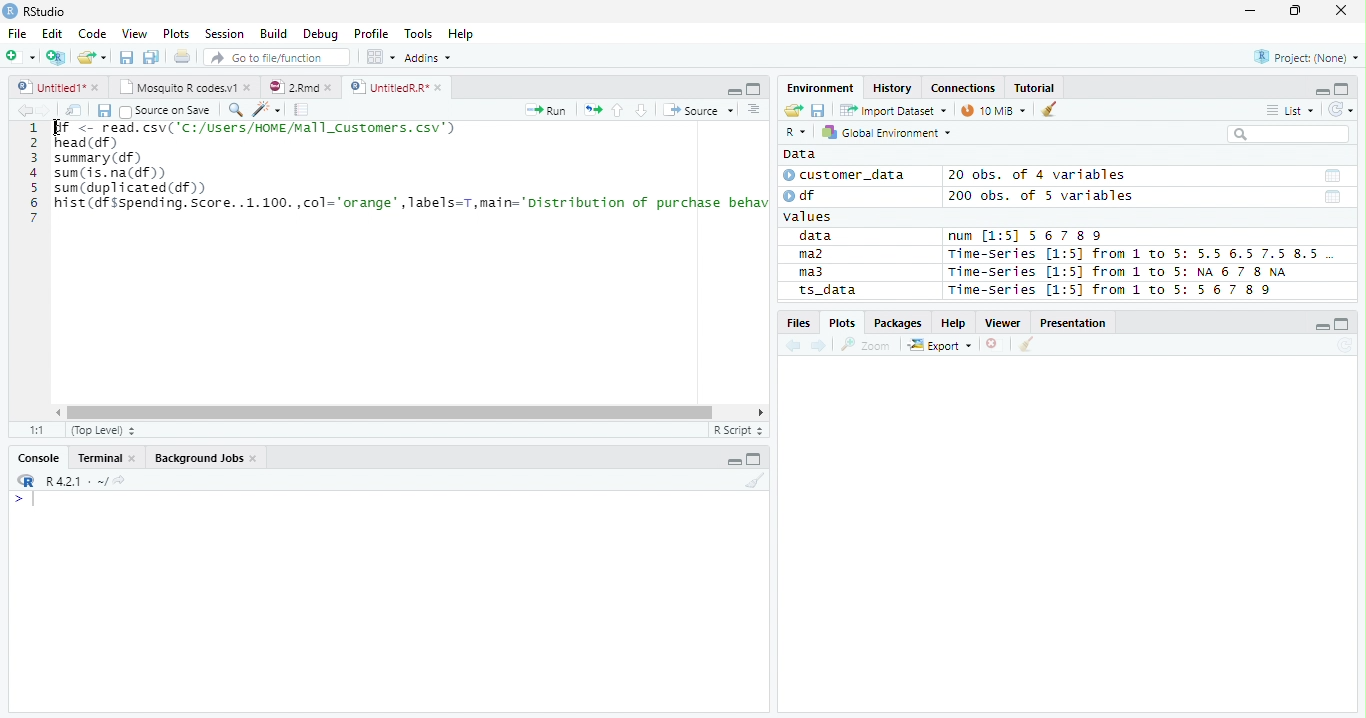 Image resolution: width=1366 pixels, height=718 pixels. Describe the element at coordinates (791, 111) in the screenshot. I see `Open folder` at that location.